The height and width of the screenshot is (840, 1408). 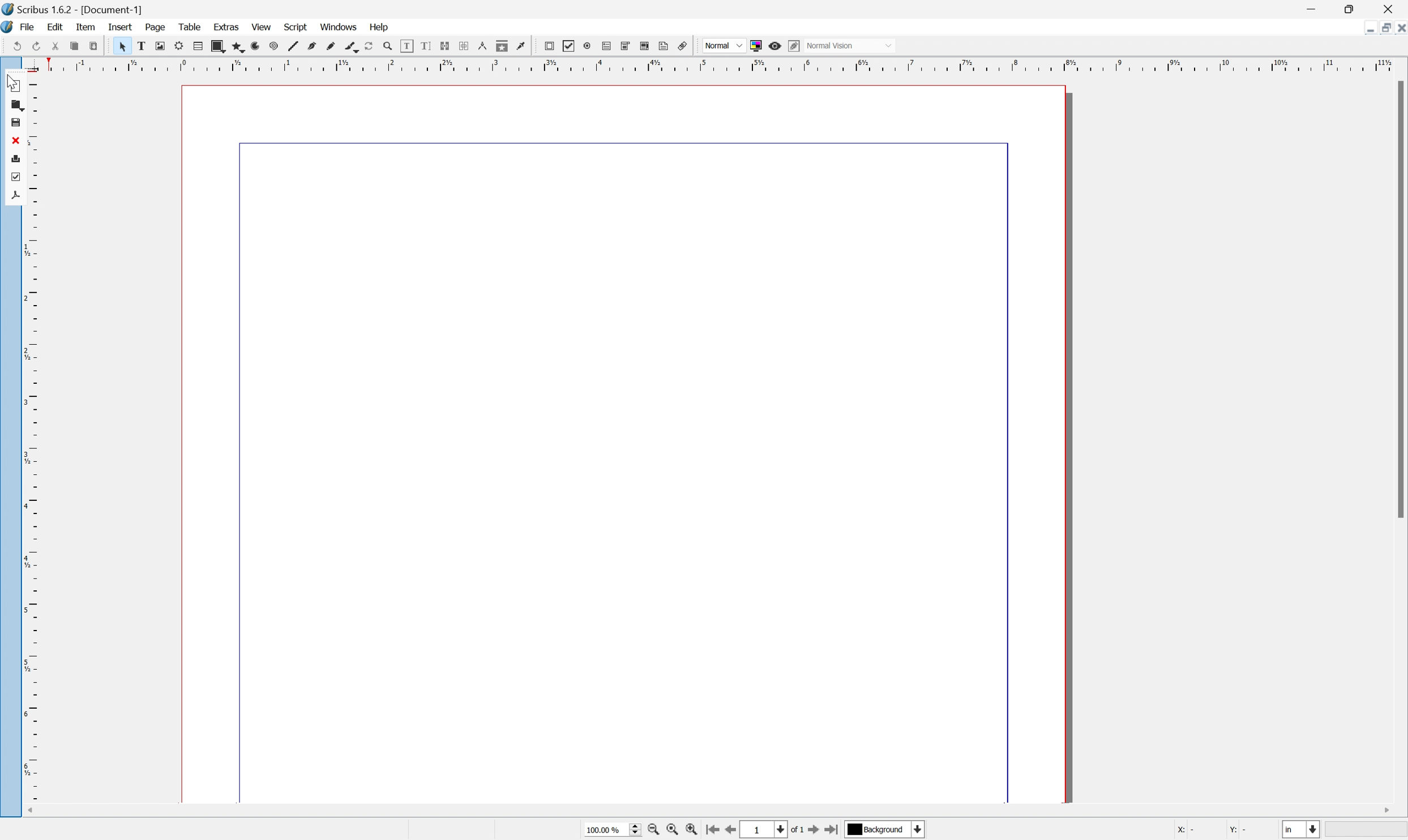 What do you see at coordinates (832, 832) in the screenshot?
I see `go to last page` at bounding box center [832, 832].